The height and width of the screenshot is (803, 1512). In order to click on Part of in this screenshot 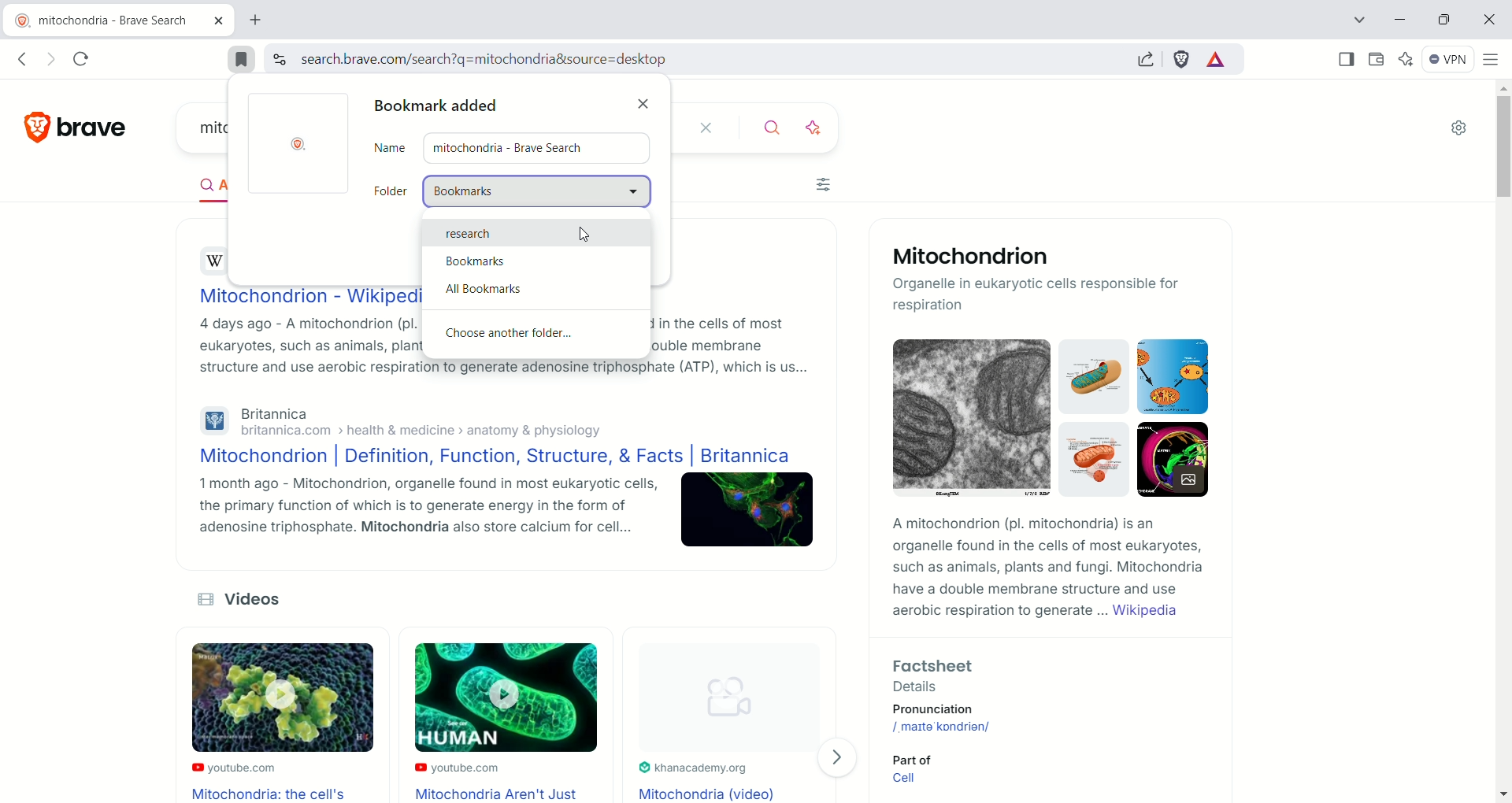, I will do `click(909, 758)`.